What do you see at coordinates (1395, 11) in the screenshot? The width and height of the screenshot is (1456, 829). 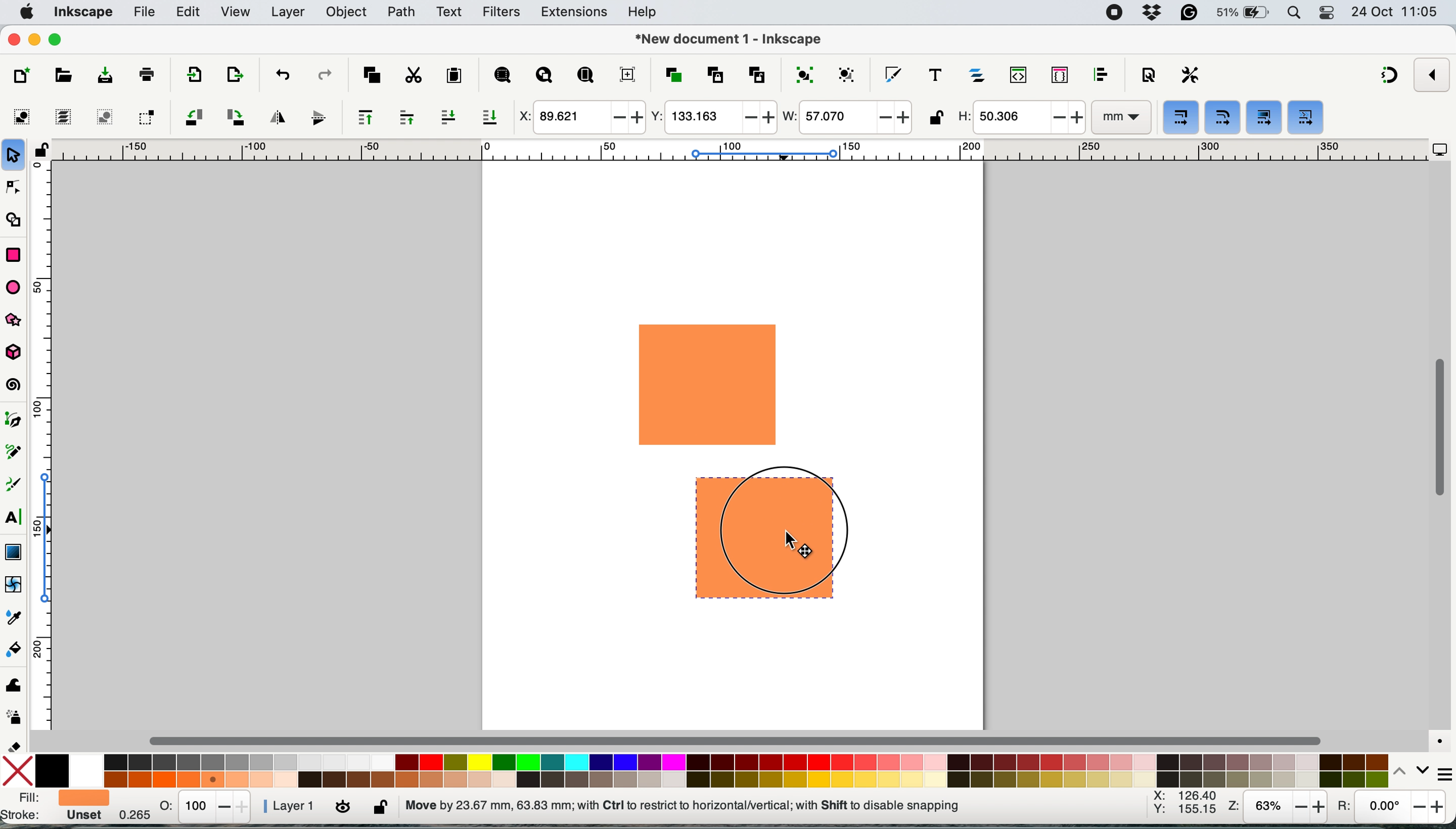 I see `date and time` at bounding box center [1395, 11].